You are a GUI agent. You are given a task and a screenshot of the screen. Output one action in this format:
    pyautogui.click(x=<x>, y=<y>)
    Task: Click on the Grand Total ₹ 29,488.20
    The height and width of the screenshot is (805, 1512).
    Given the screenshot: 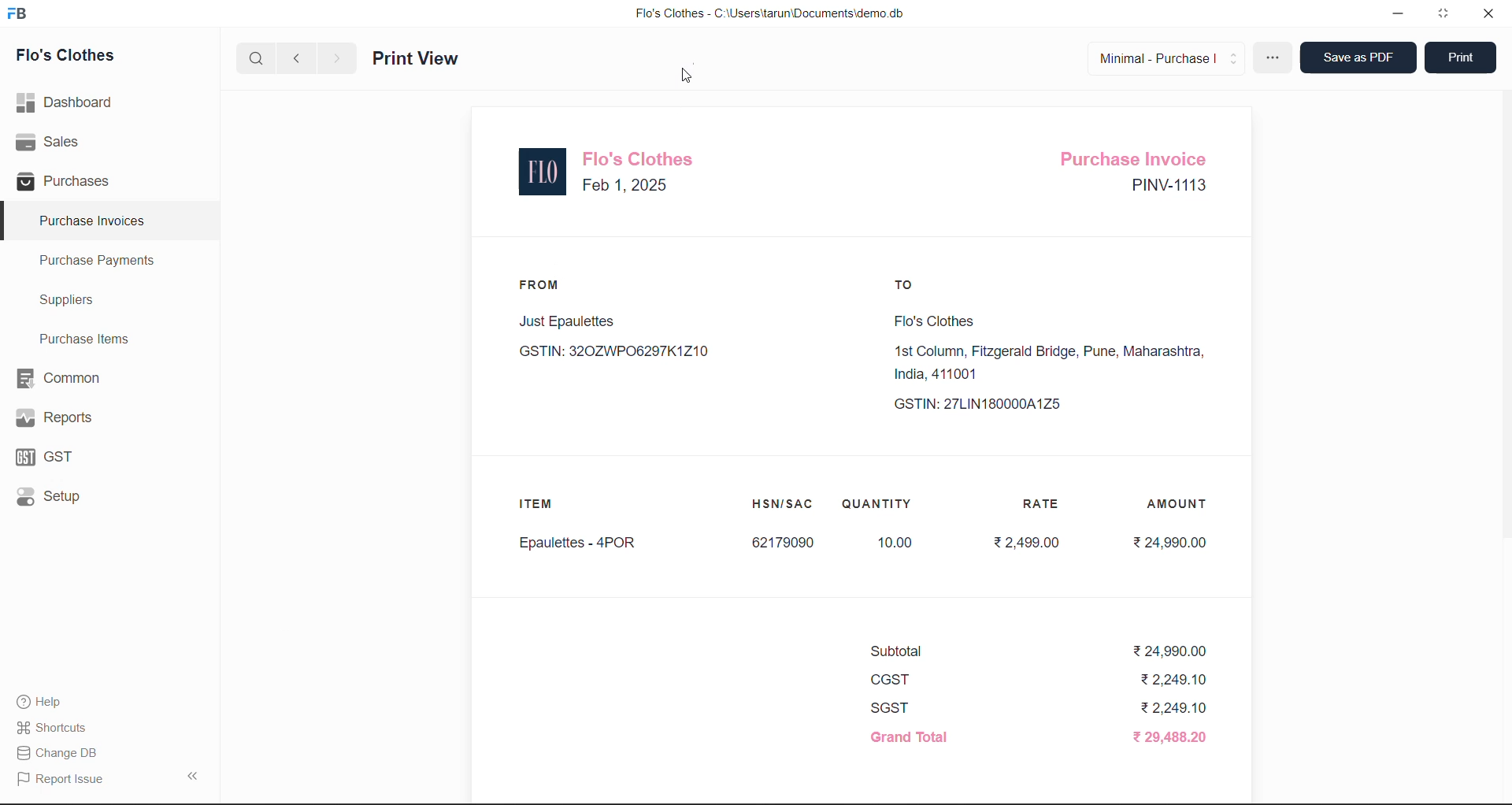 What is the action you would take?
    pyautogui.click(x=1044, y=736)
    